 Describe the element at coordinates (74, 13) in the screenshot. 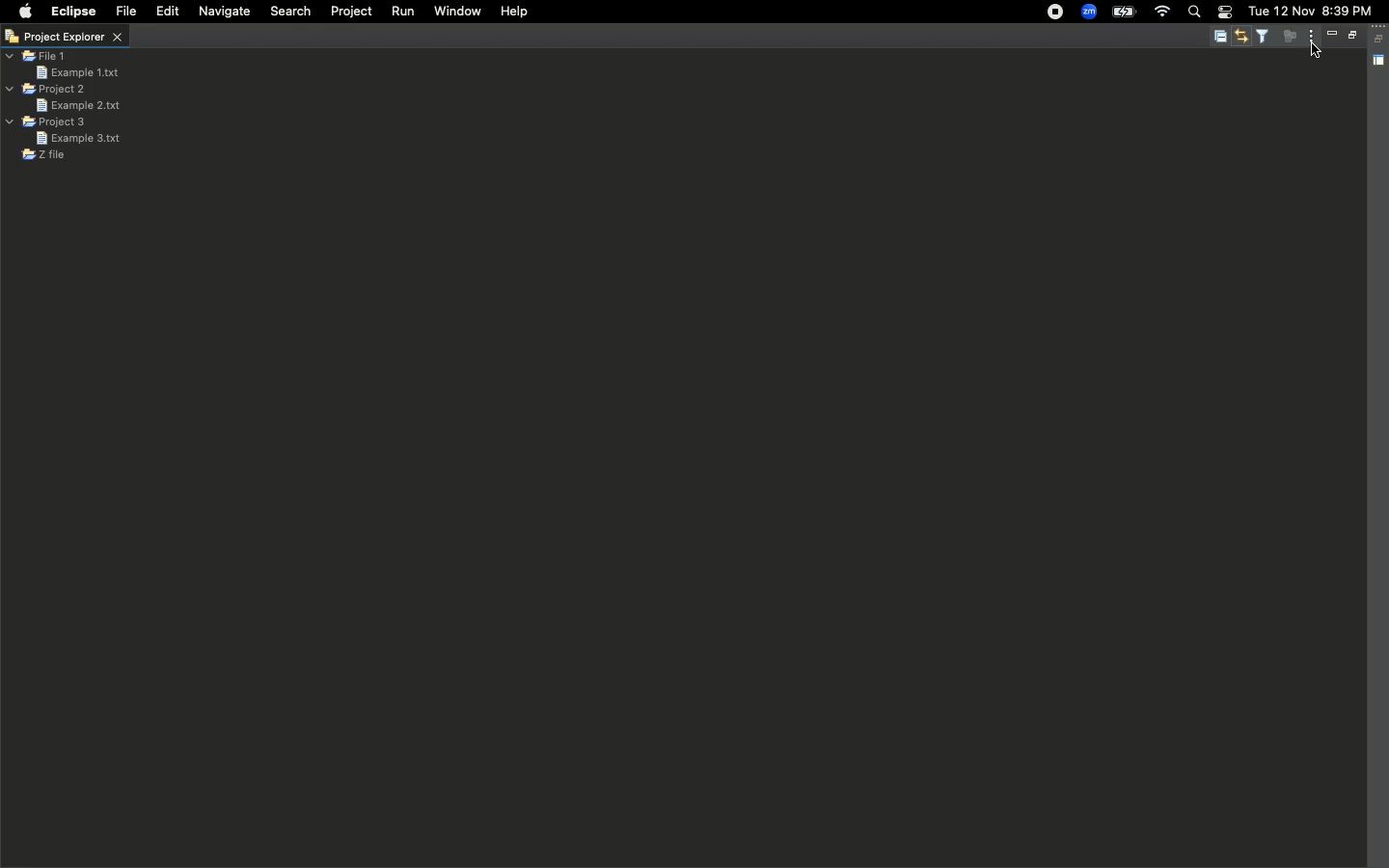

I see `Eclipse` at that location.